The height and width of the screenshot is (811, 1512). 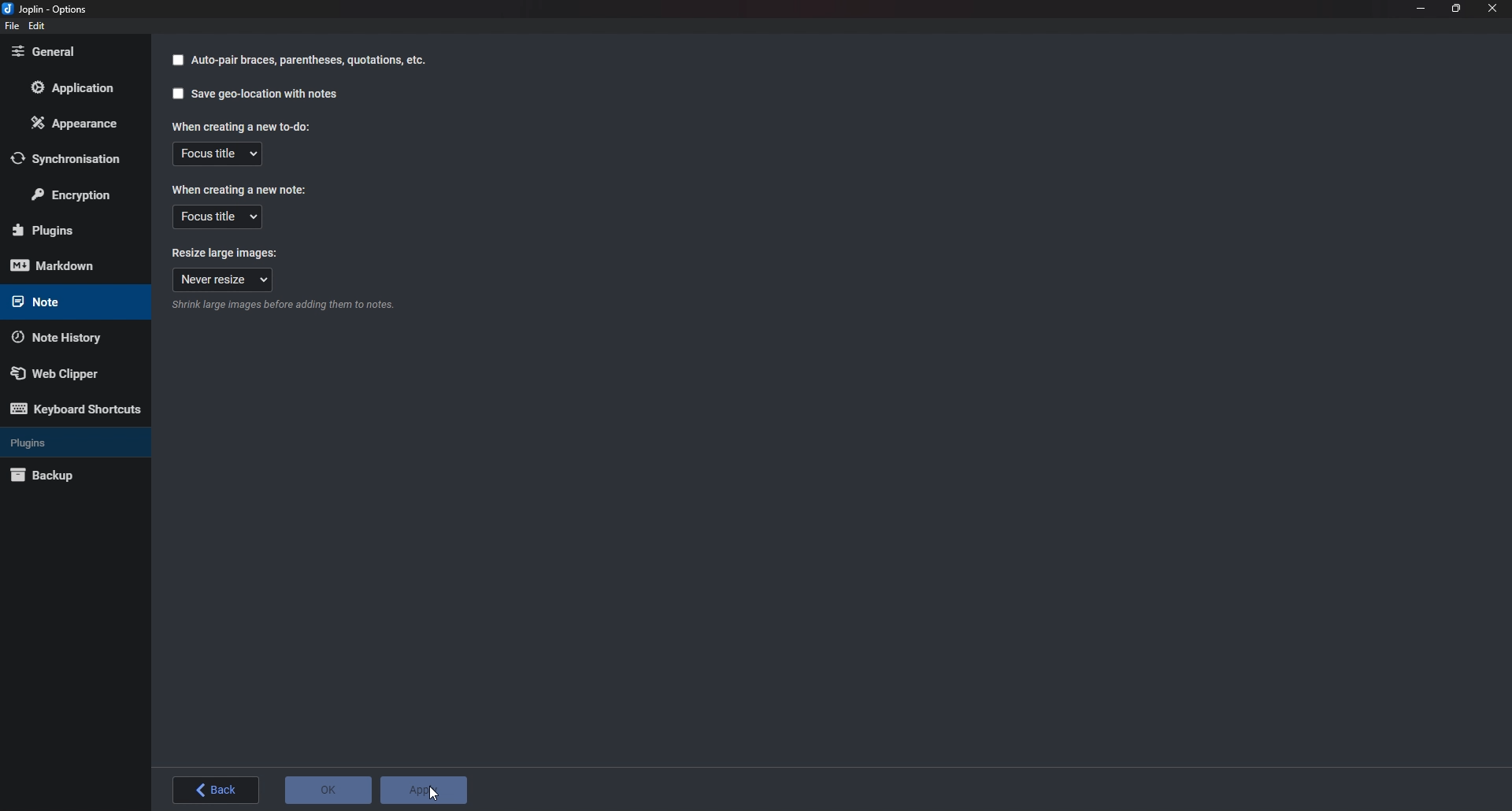 What do you see at coordinates (326, 791) in the screenshot?
I see `o K` at bounding box center [326, 791].